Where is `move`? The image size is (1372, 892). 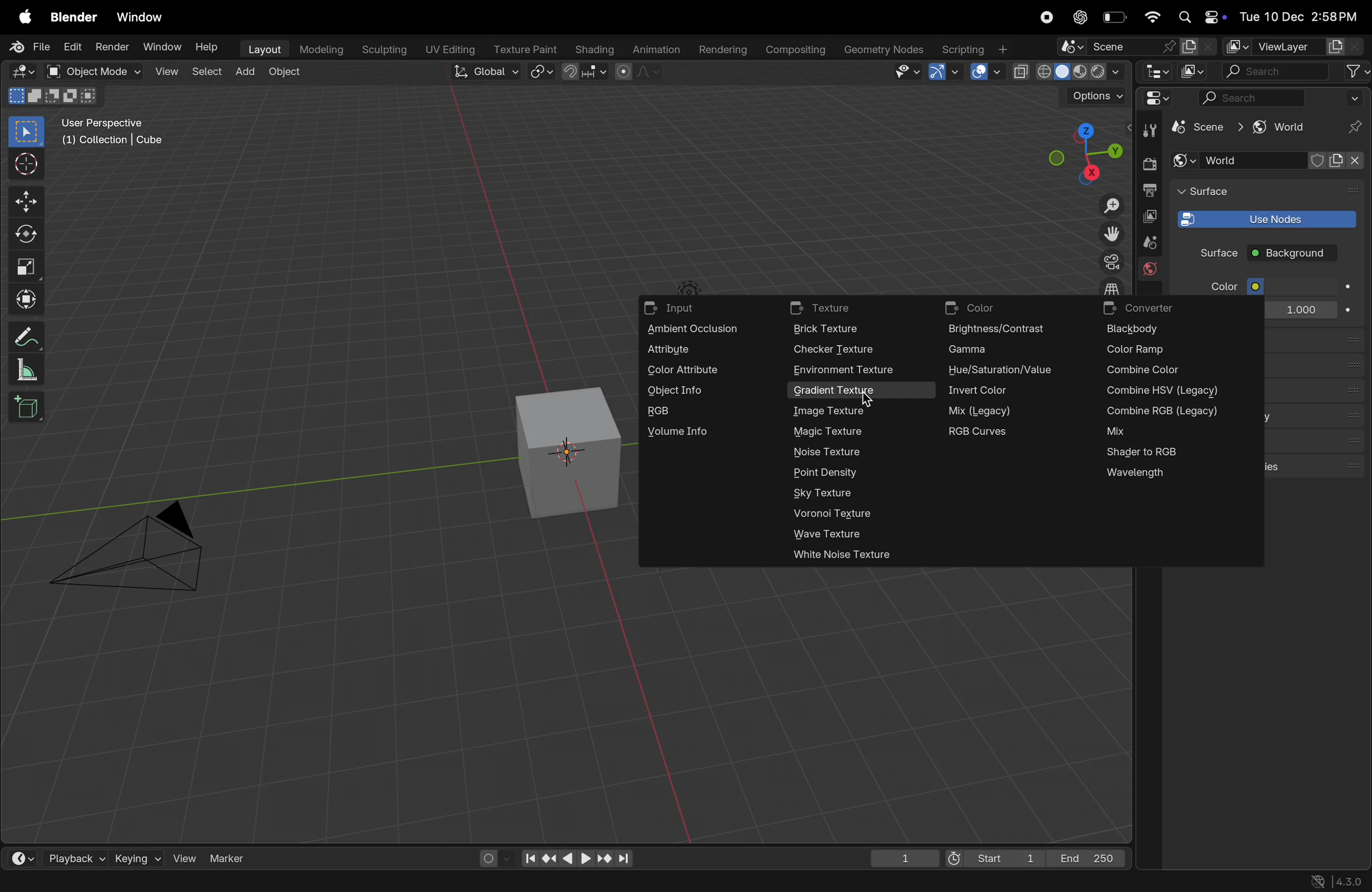 move is located at coordinates (26, 199).